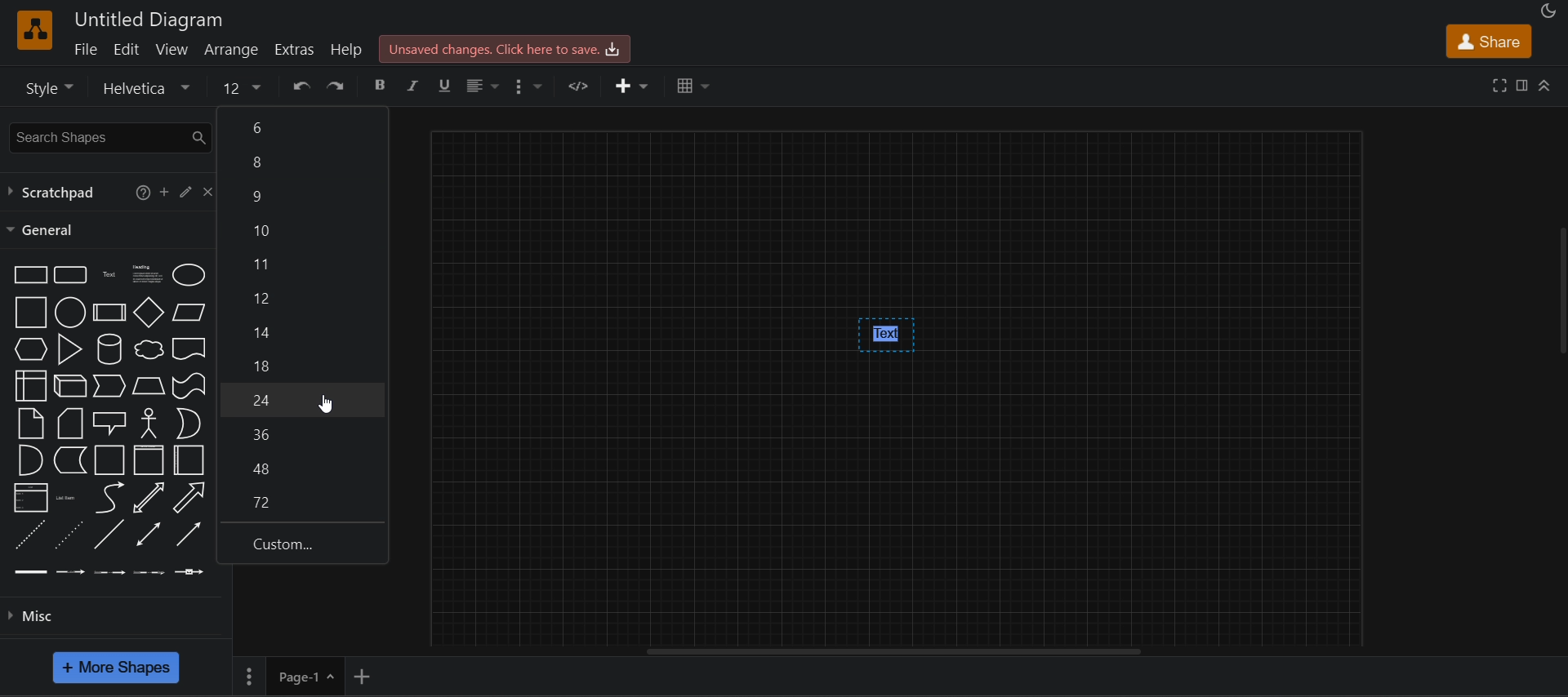  Describe the element at coordinates (31, 498) in the screenshot. I see `List` at that location.